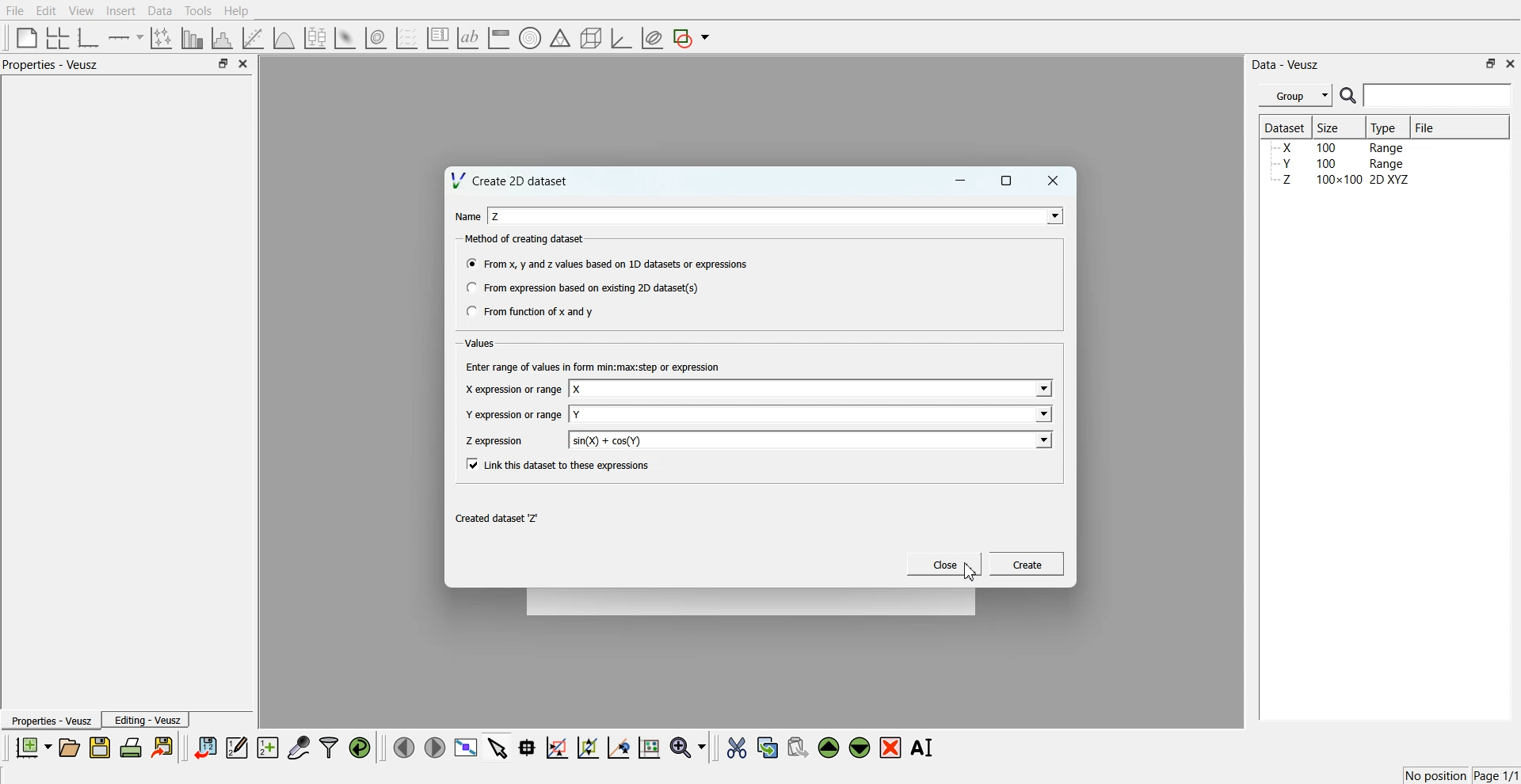 The image size is (1521, 784). Describe the element at coordinates (162, 11) in the screenshot. I see `Data` at that location.